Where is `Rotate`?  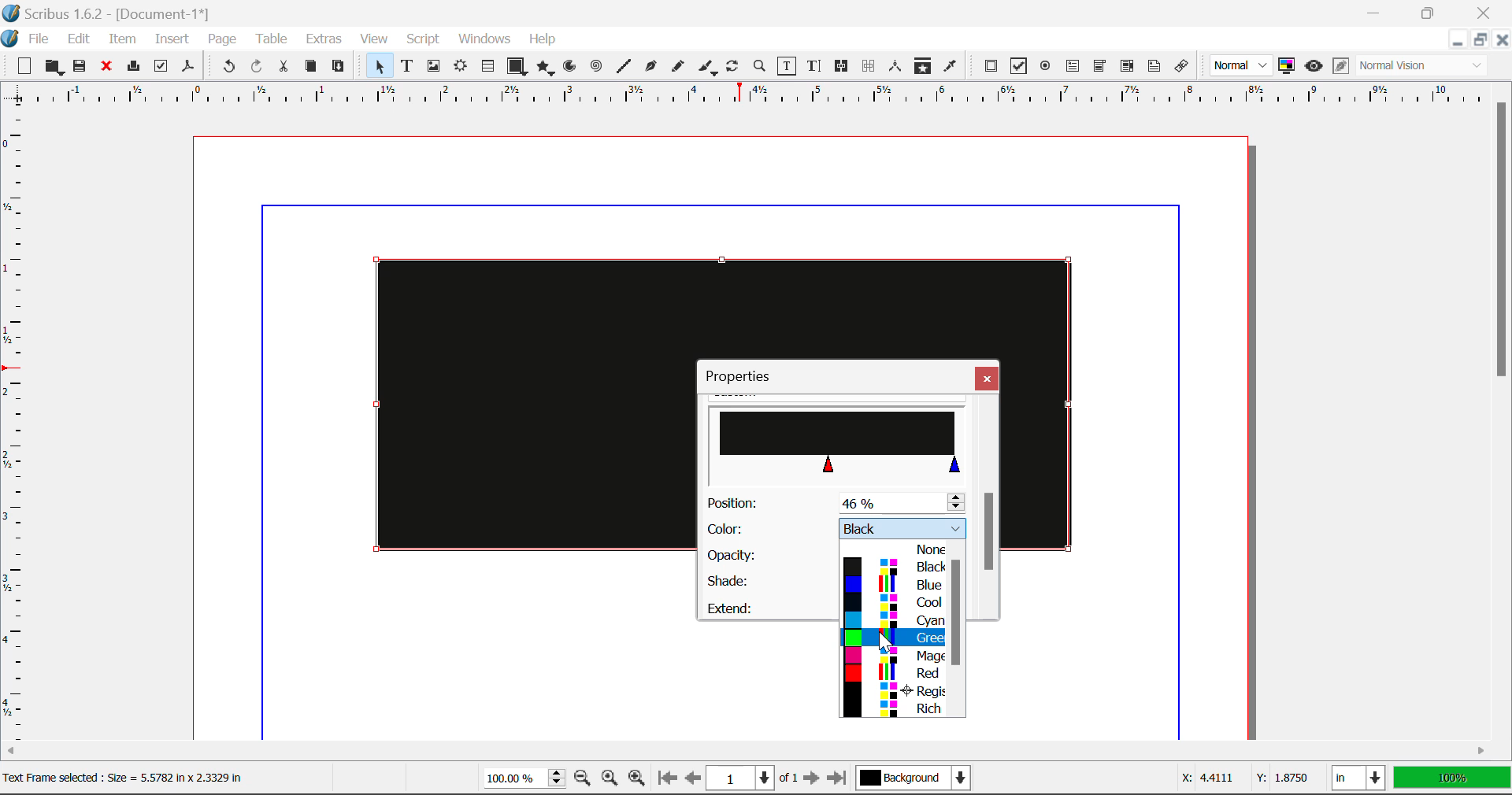
Rotate is located at coordinates (733, 66).